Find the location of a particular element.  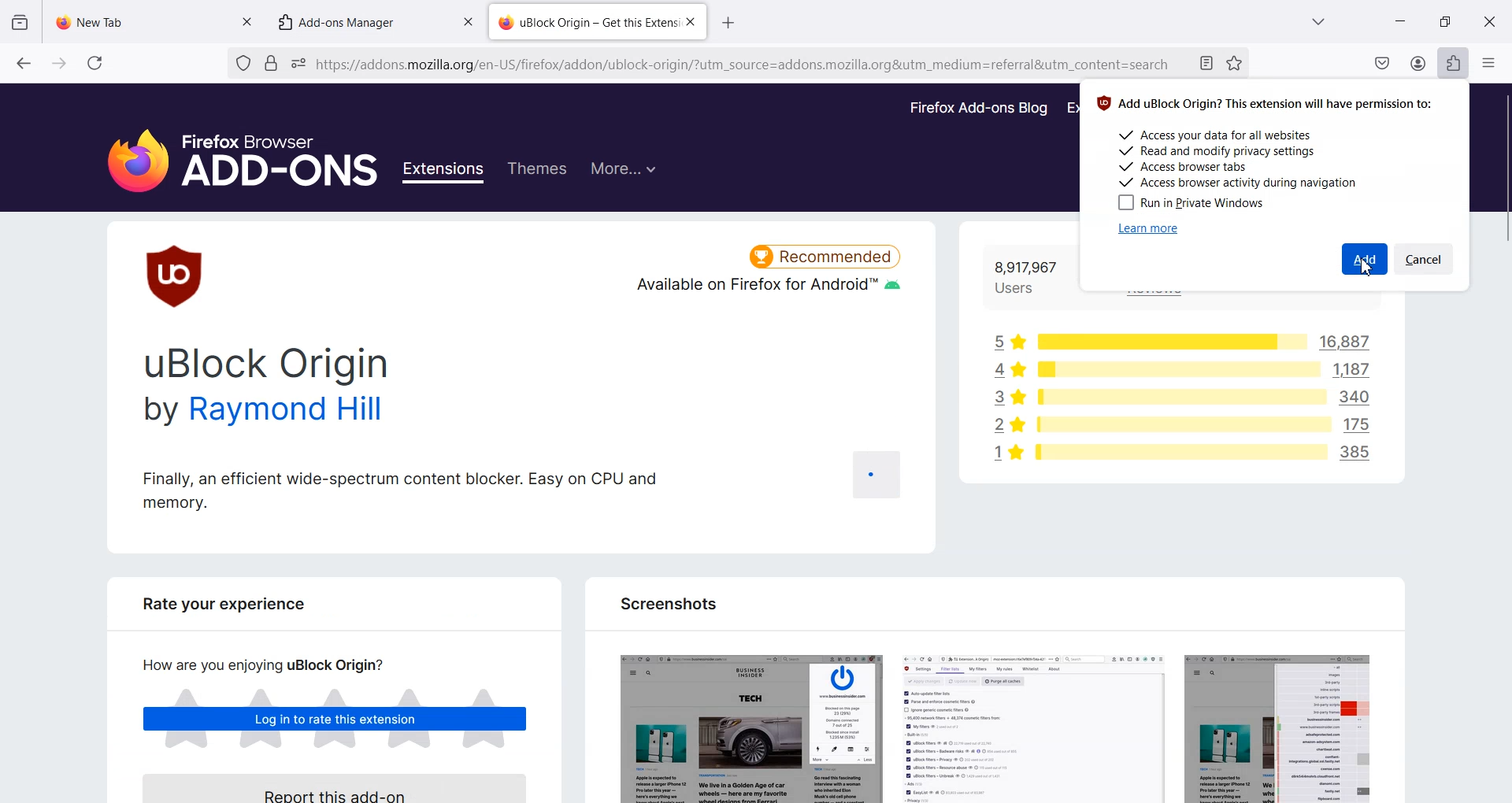

5 star rating is located at coordinates (1007, 339).